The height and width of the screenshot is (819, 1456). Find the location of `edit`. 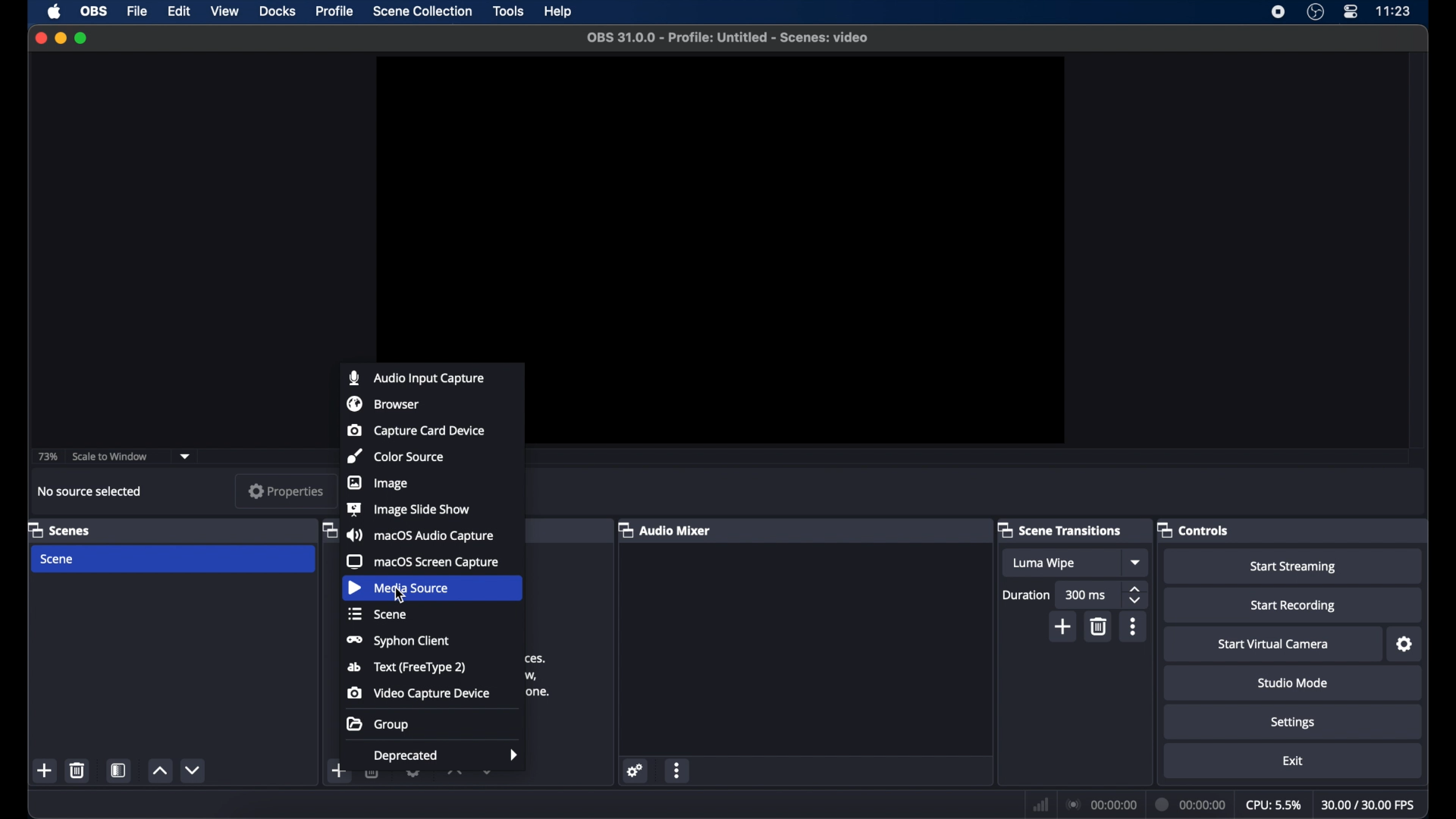

edit is located at coordinates (178, 11).